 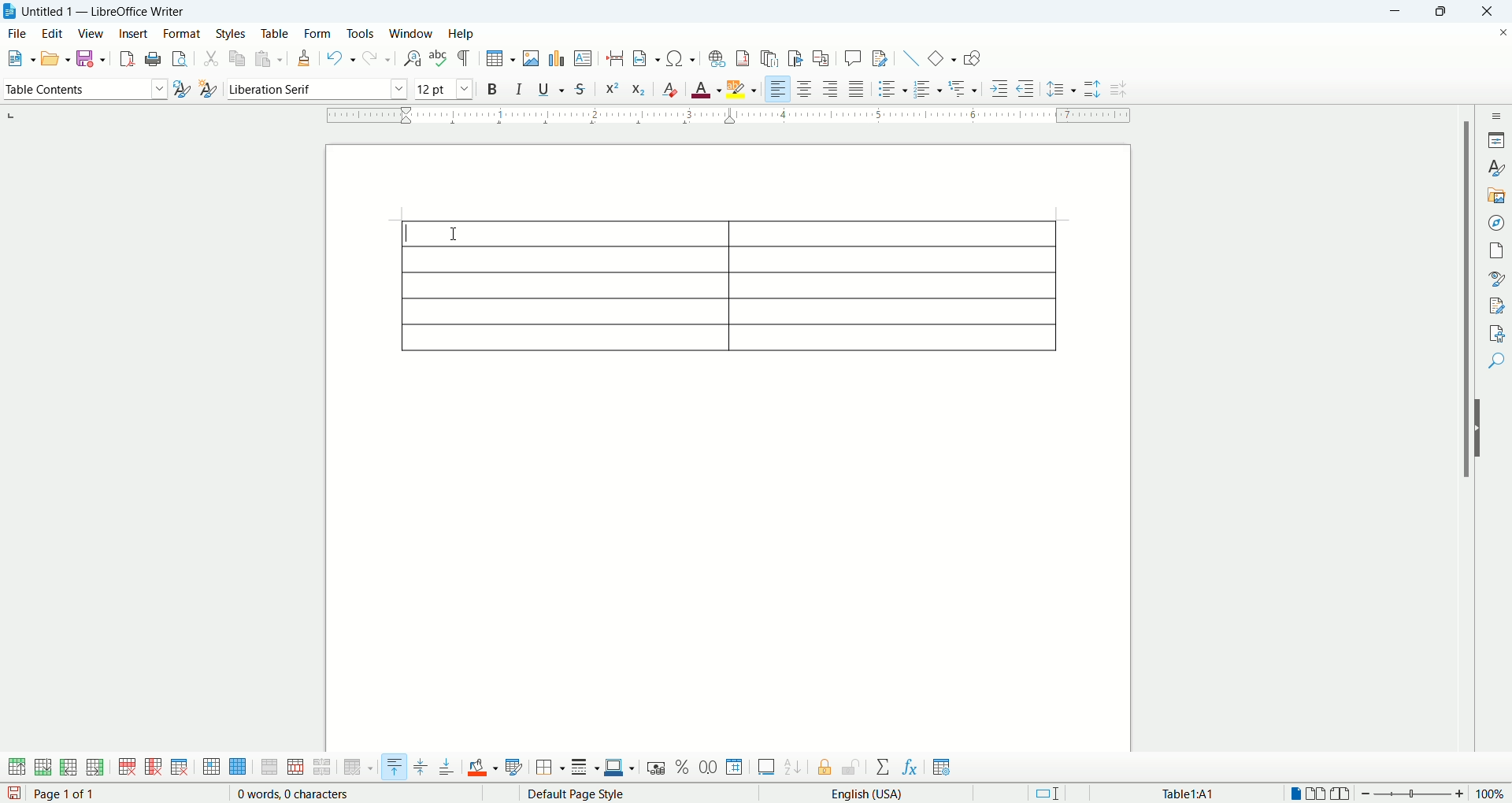 What do you see at coordinates (648, 57) in the screenshot?
I see `insert field` at bounding box center [648, 57].